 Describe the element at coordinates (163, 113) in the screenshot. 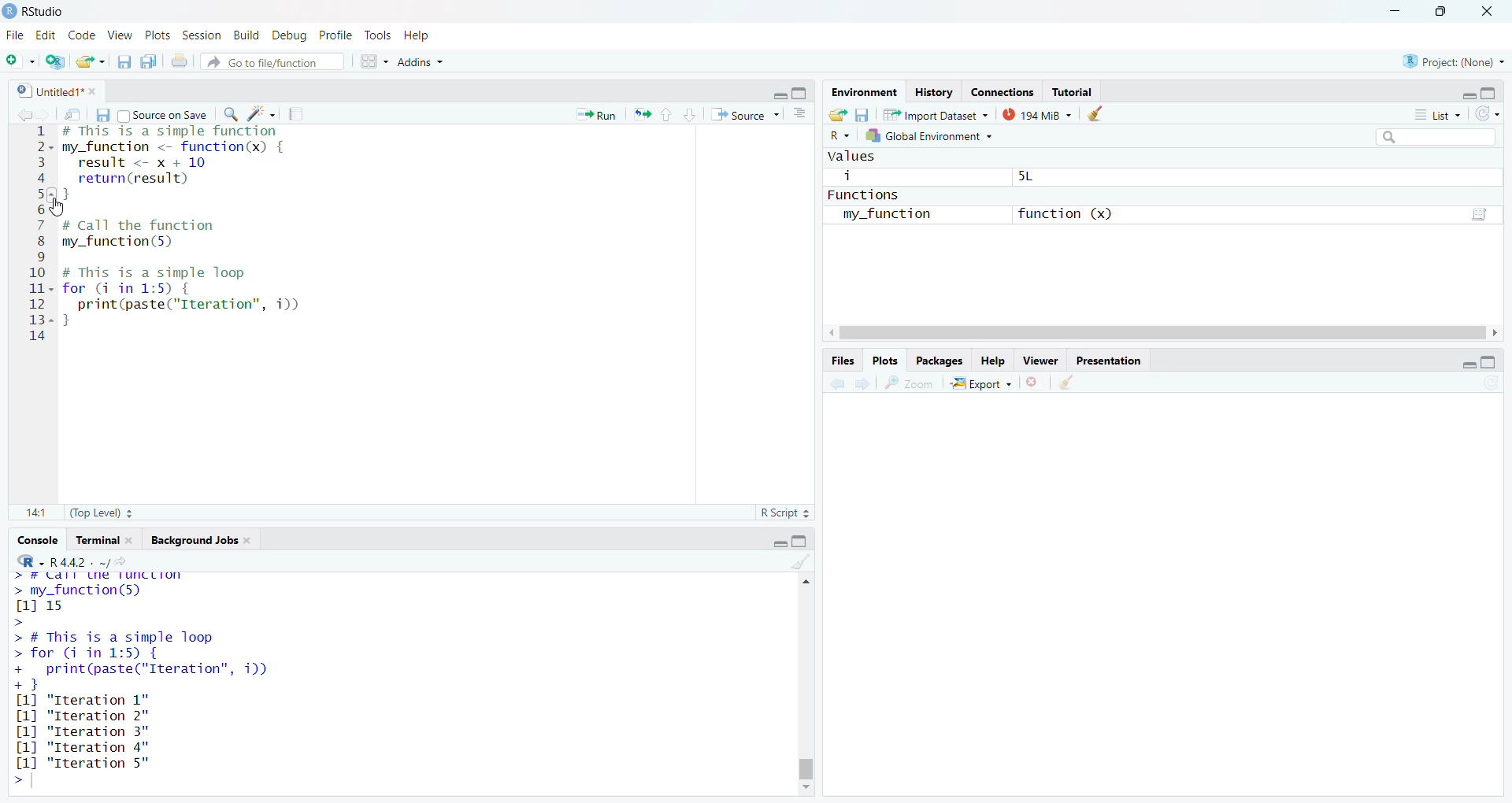

I see `source on save` at that location.